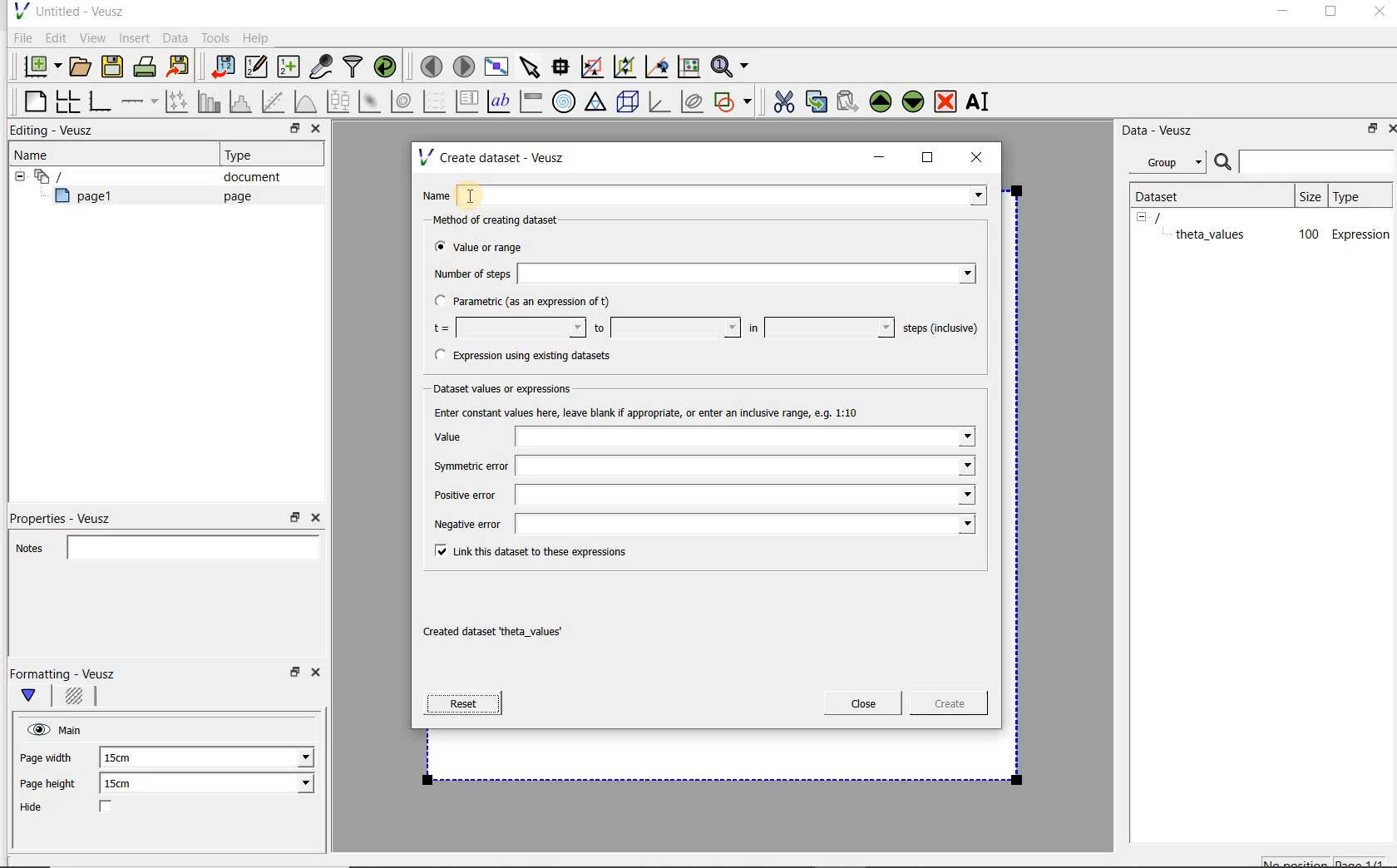 This screenshot has height=868, width=1397. What do you see at coordinates (700, 525) in the screenshot?
I see `Negative error ` at bounding box center [700, 525].